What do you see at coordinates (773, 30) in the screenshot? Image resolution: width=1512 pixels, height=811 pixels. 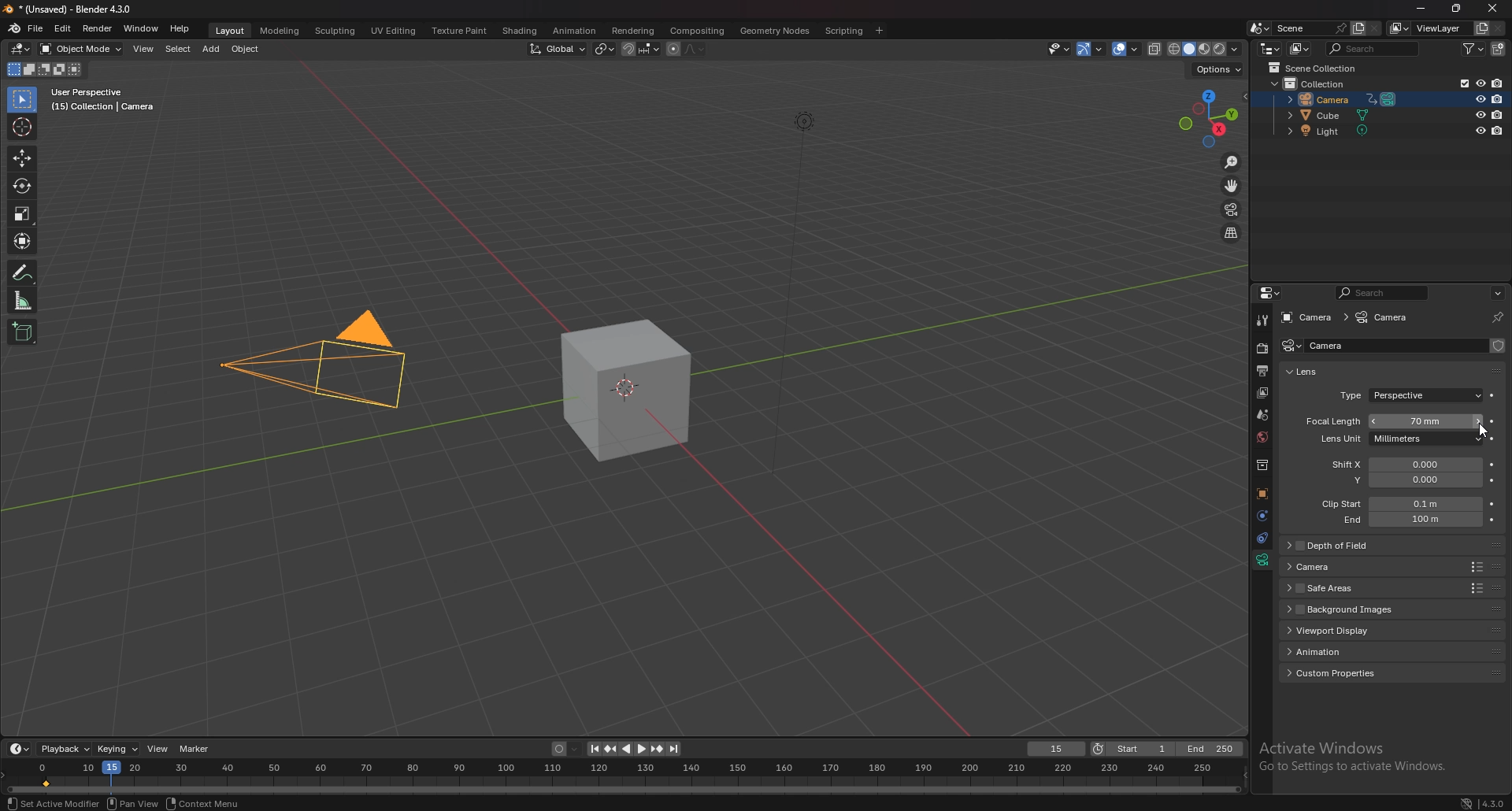 I see `geometry nodes` at bounding box center [773, 30].